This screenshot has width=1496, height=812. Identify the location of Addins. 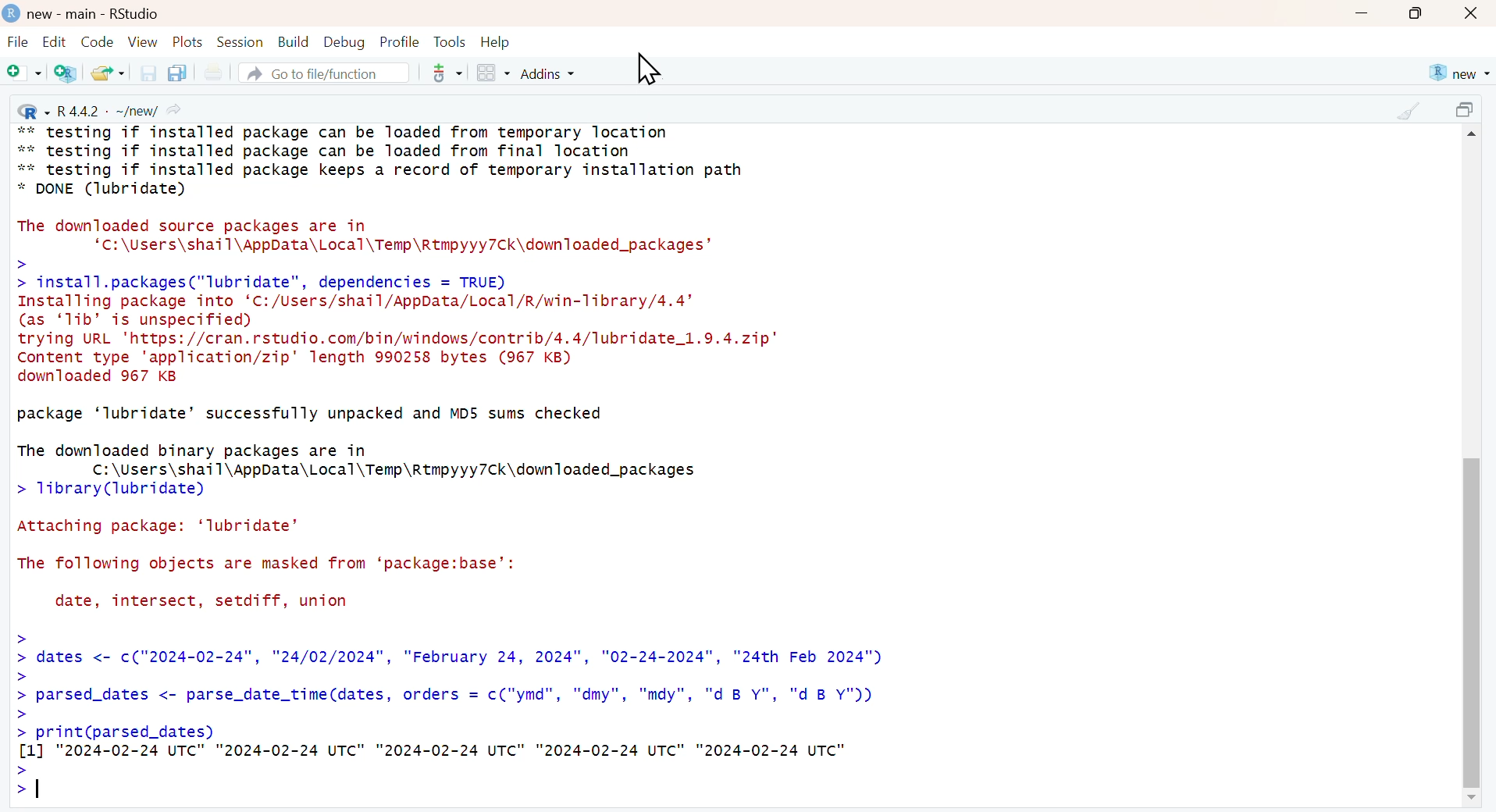
(550, 73).